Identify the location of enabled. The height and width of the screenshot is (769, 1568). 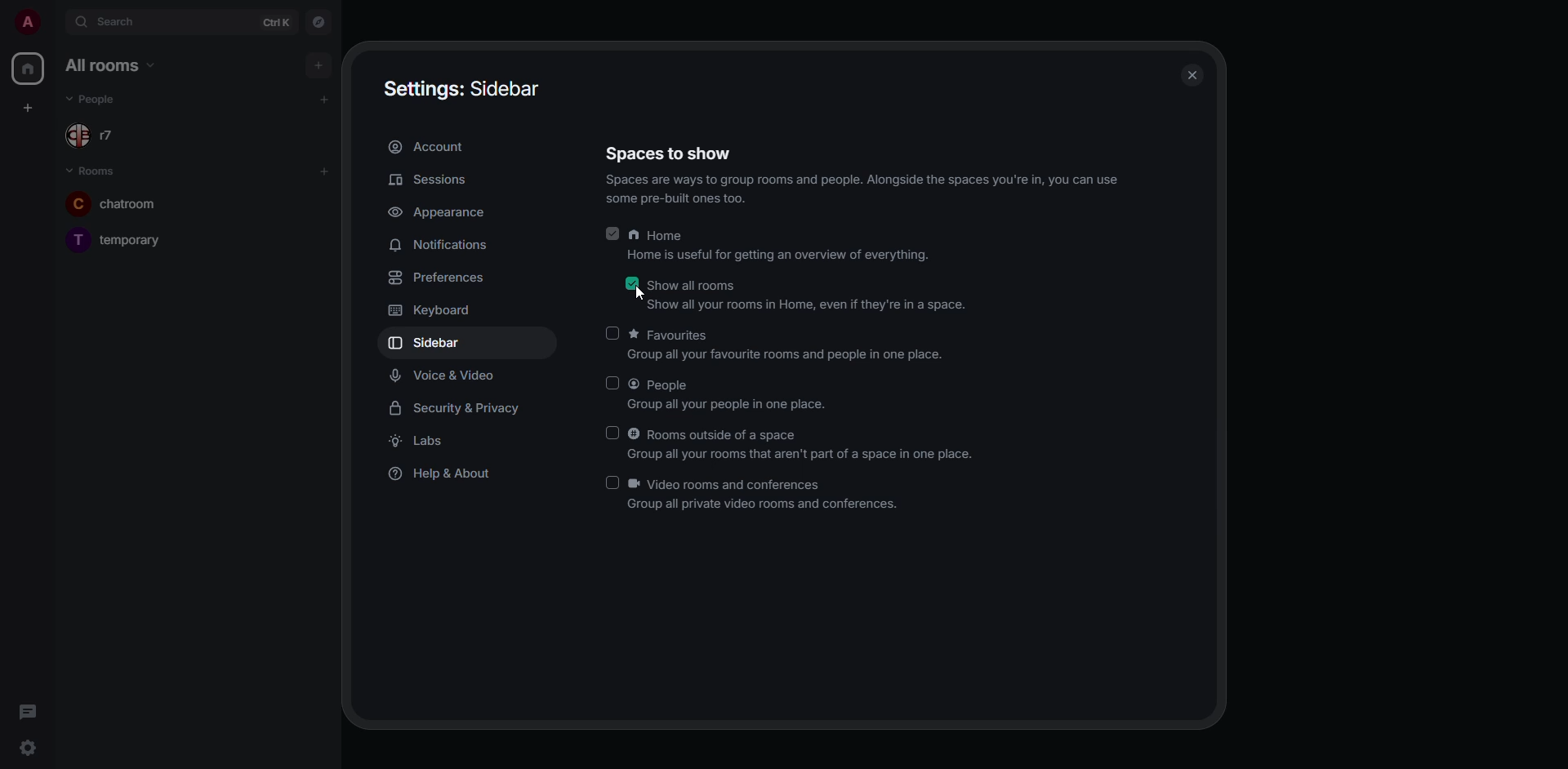
(614, 234).